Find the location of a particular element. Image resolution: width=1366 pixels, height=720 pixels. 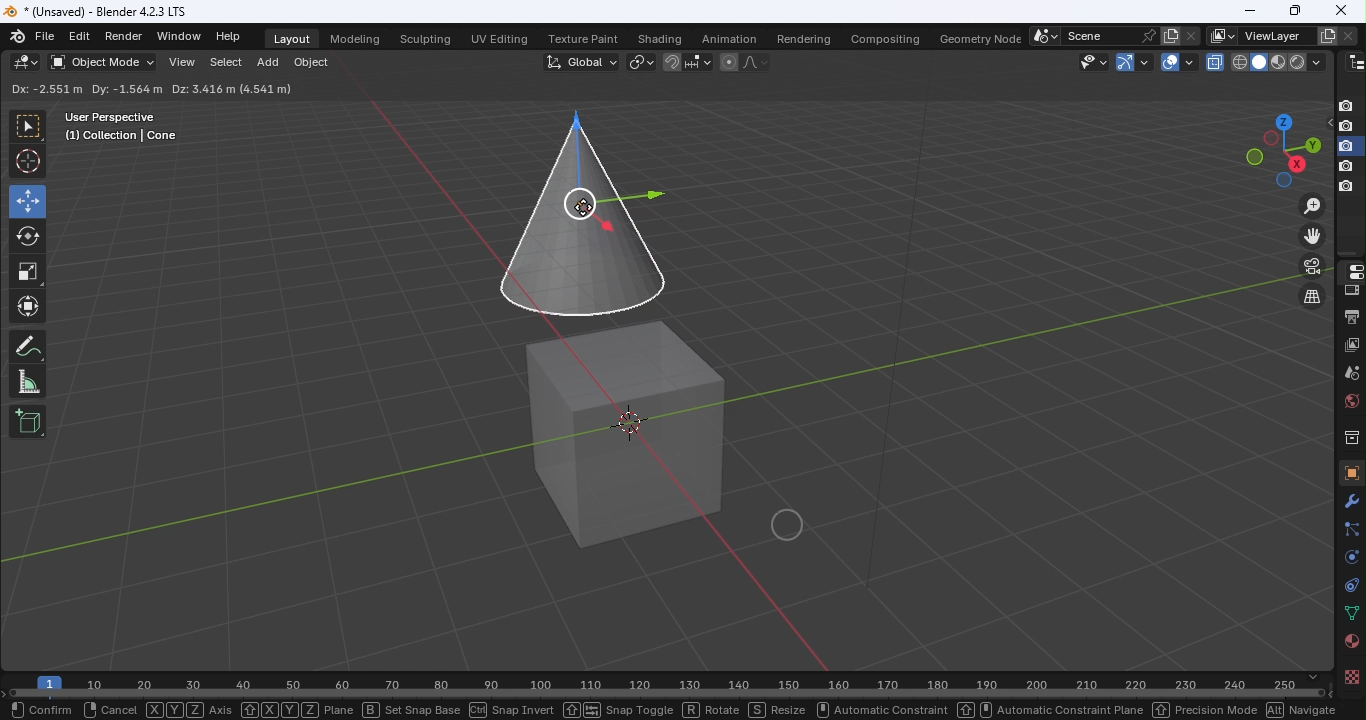

Browse scene to be linked is located at coordinates (1043, 34).